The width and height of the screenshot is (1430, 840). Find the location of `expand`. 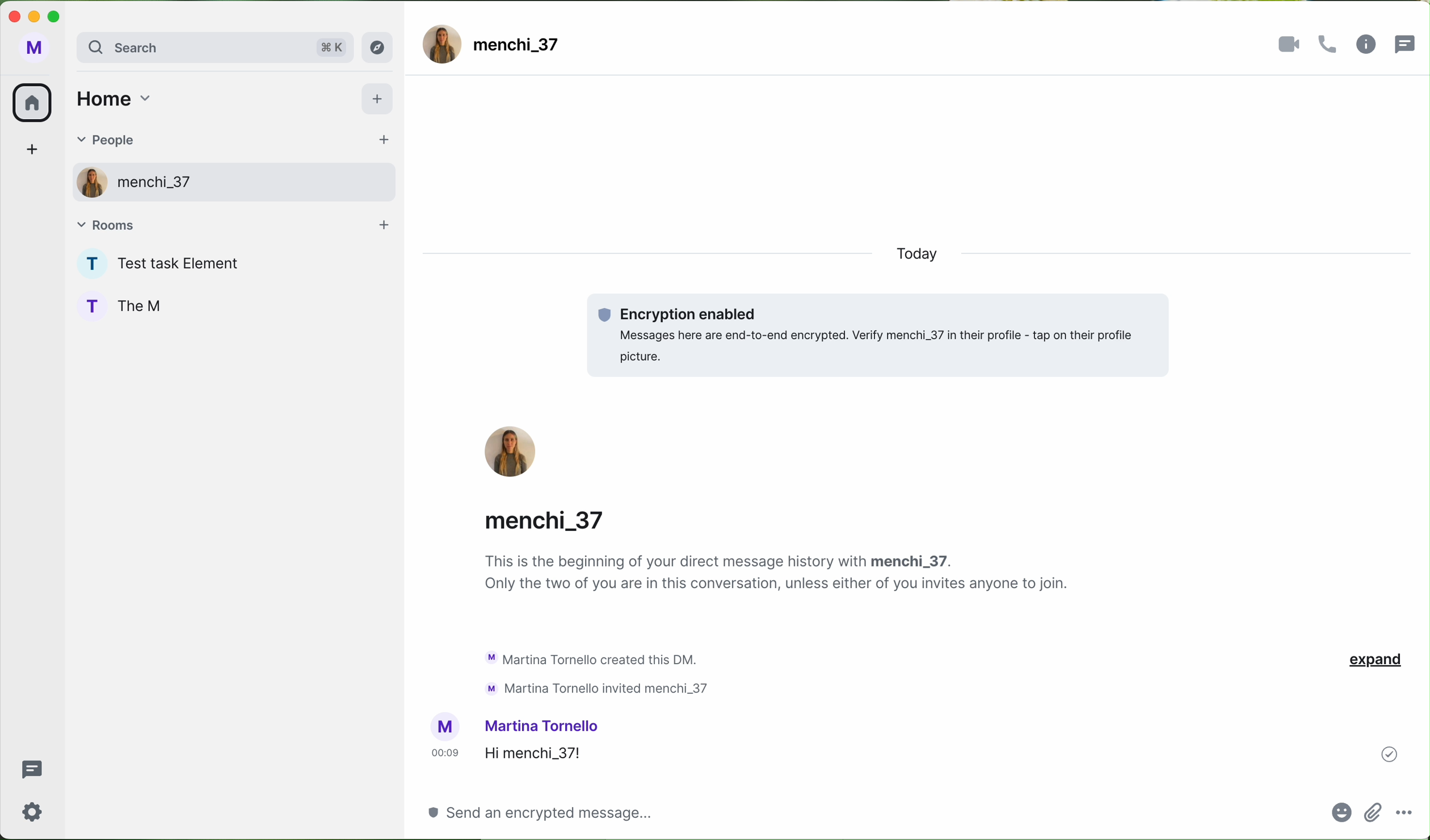

expand is located at coordinates (1374, 661).